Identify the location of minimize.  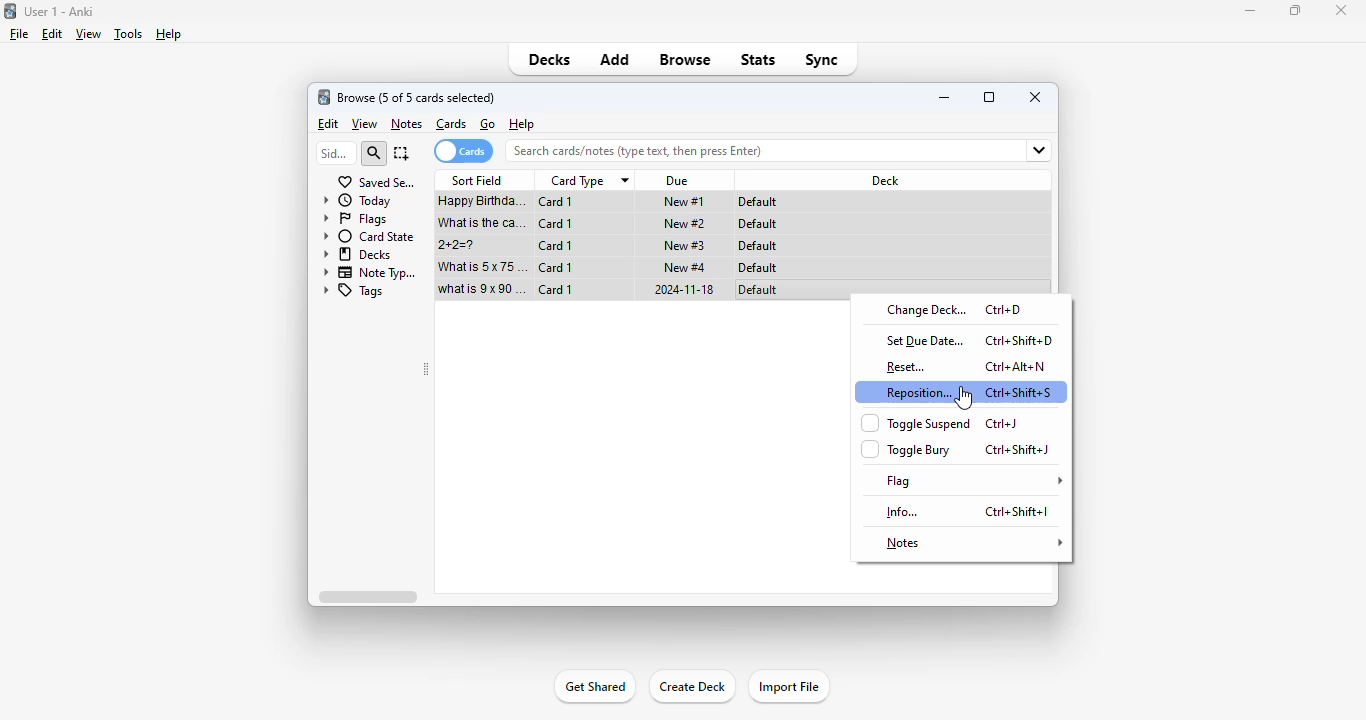
(946, 97).